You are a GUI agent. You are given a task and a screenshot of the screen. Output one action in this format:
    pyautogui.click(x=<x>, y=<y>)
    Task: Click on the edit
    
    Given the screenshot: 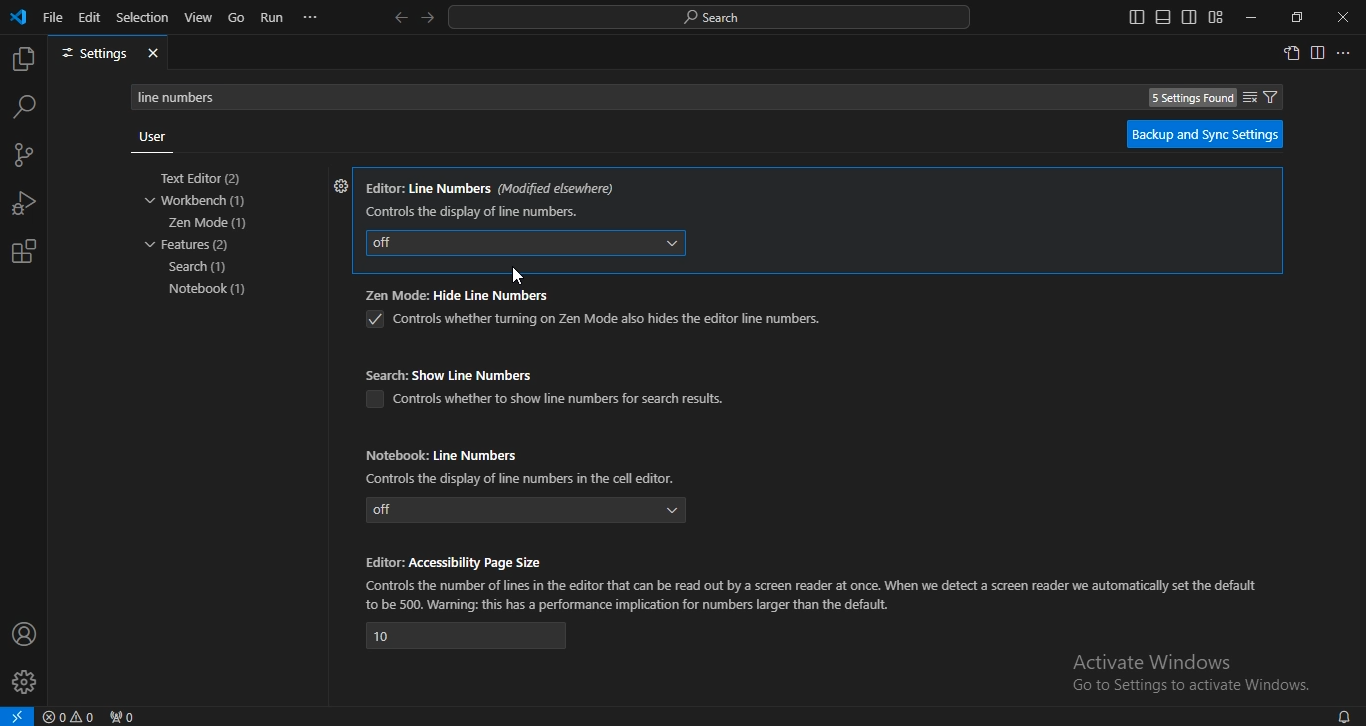 What is the action you would take?
    pyautogui.click(x=90, y=16)
    